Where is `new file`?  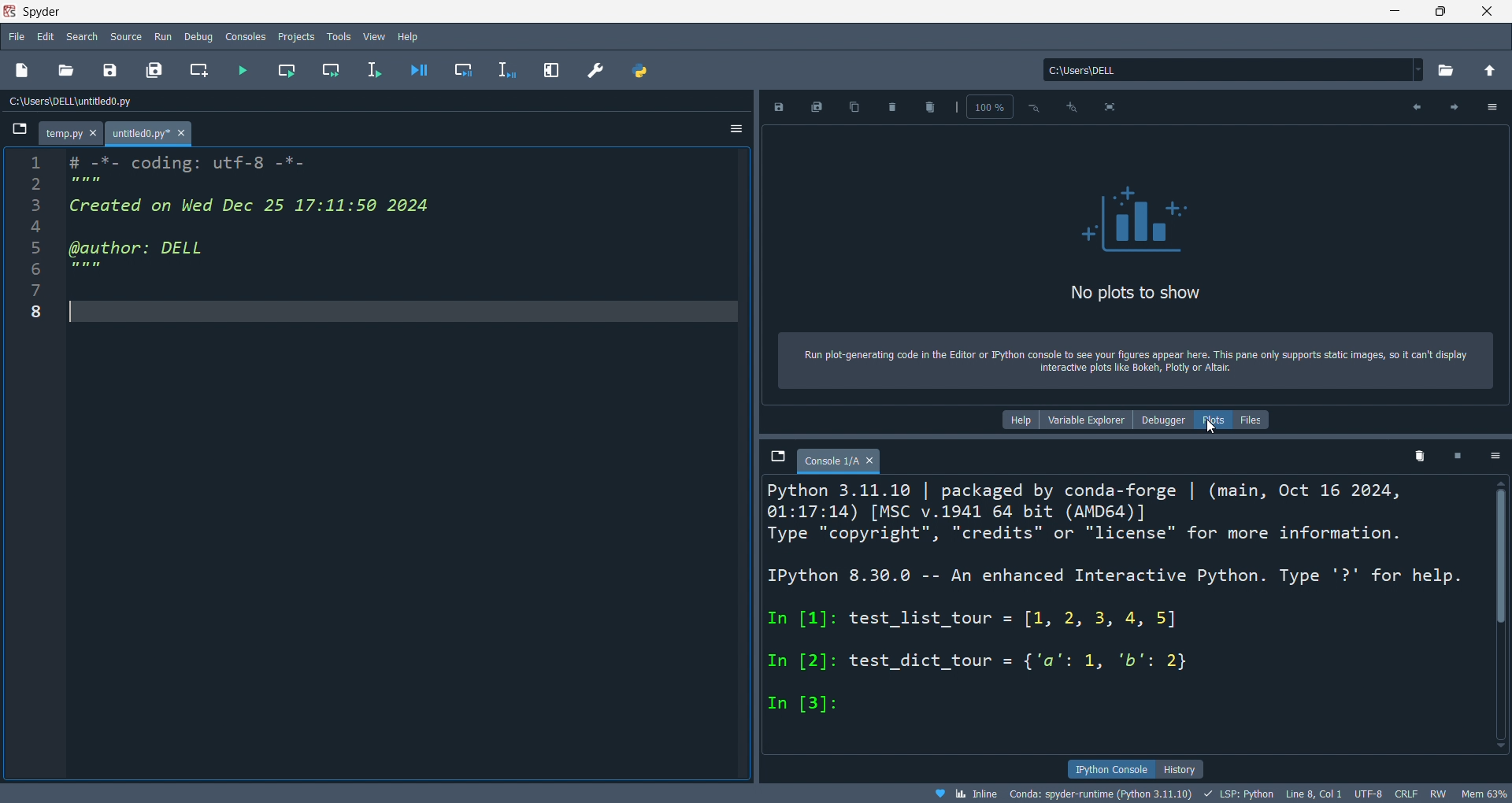 new file is located at coordinates (24, 71).